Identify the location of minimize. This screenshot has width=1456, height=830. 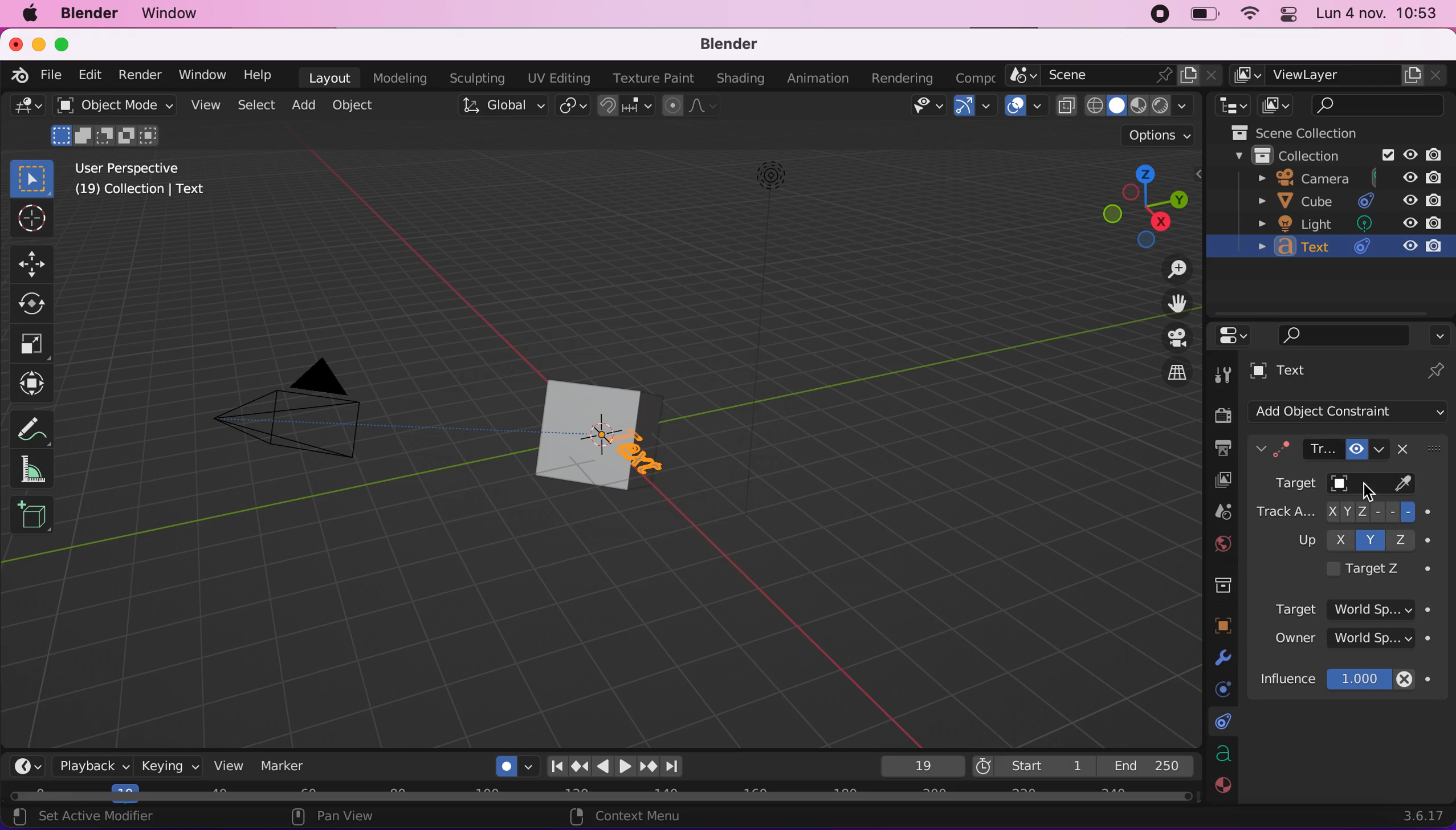
(38, 45).